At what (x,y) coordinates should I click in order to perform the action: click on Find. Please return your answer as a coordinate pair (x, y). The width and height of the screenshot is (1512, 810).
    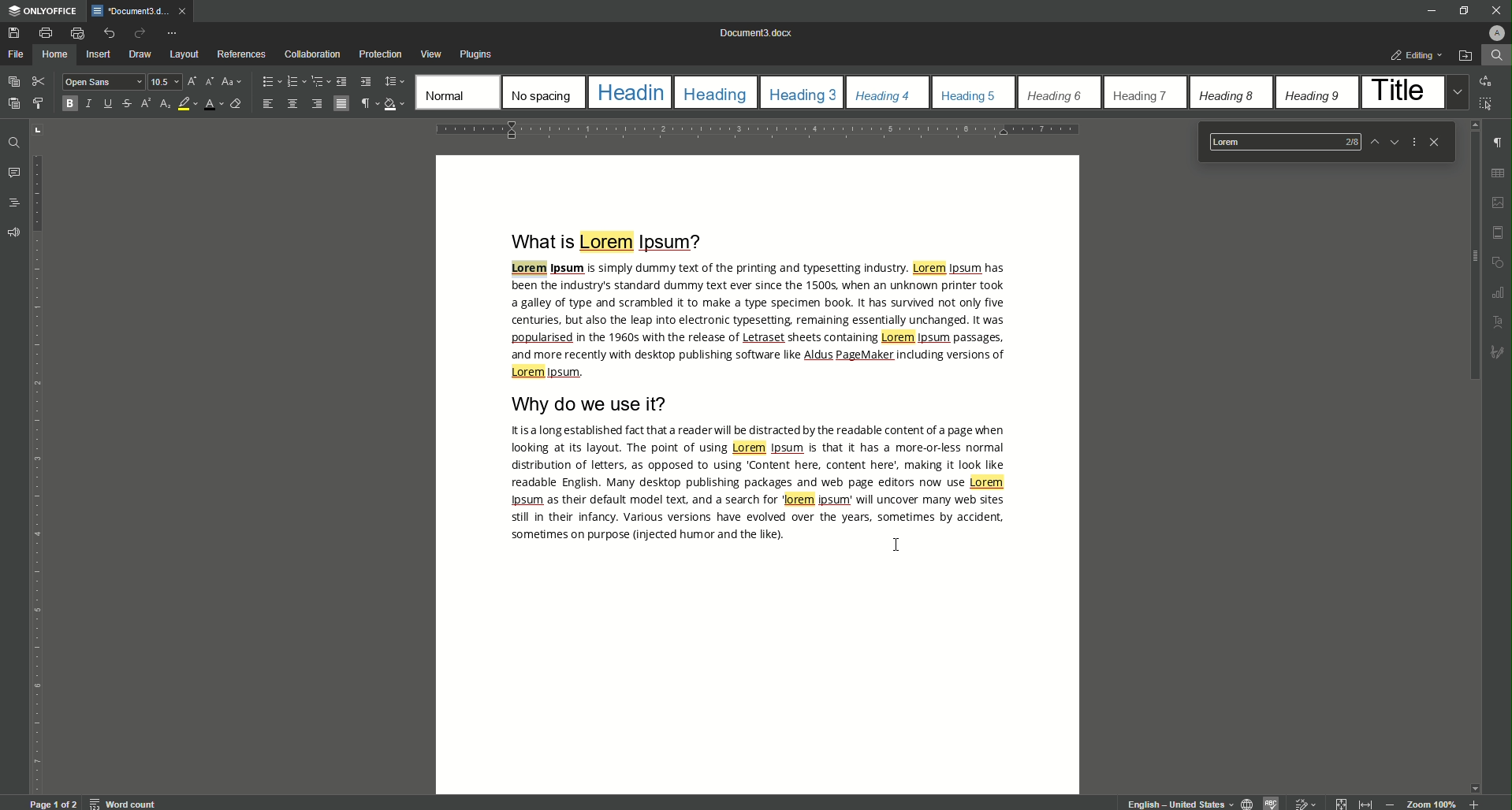
    Looking at the image, I should click on (10, 141).